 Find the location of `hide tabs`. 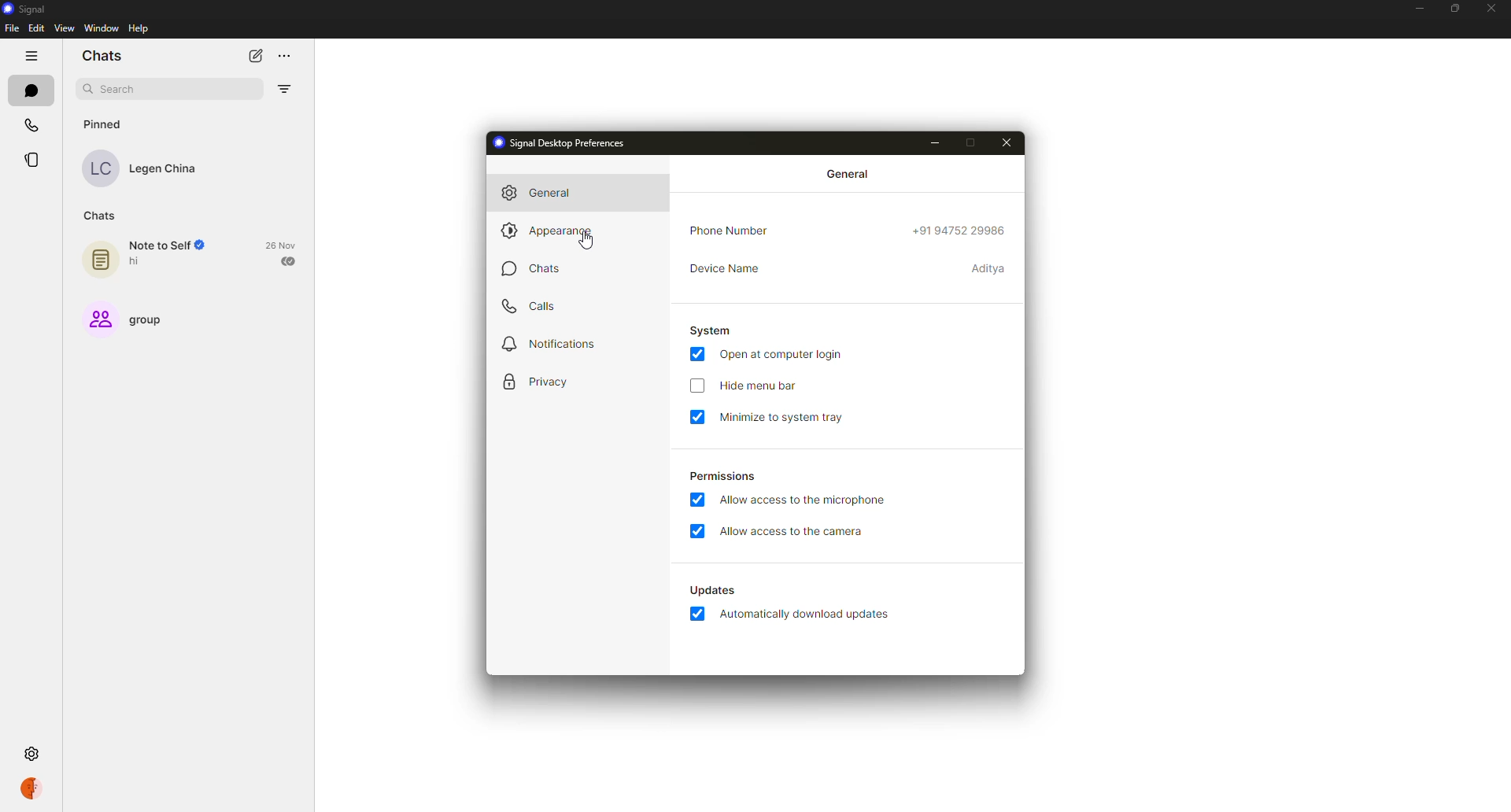

hide tabs is located at coordinates (31, 55).